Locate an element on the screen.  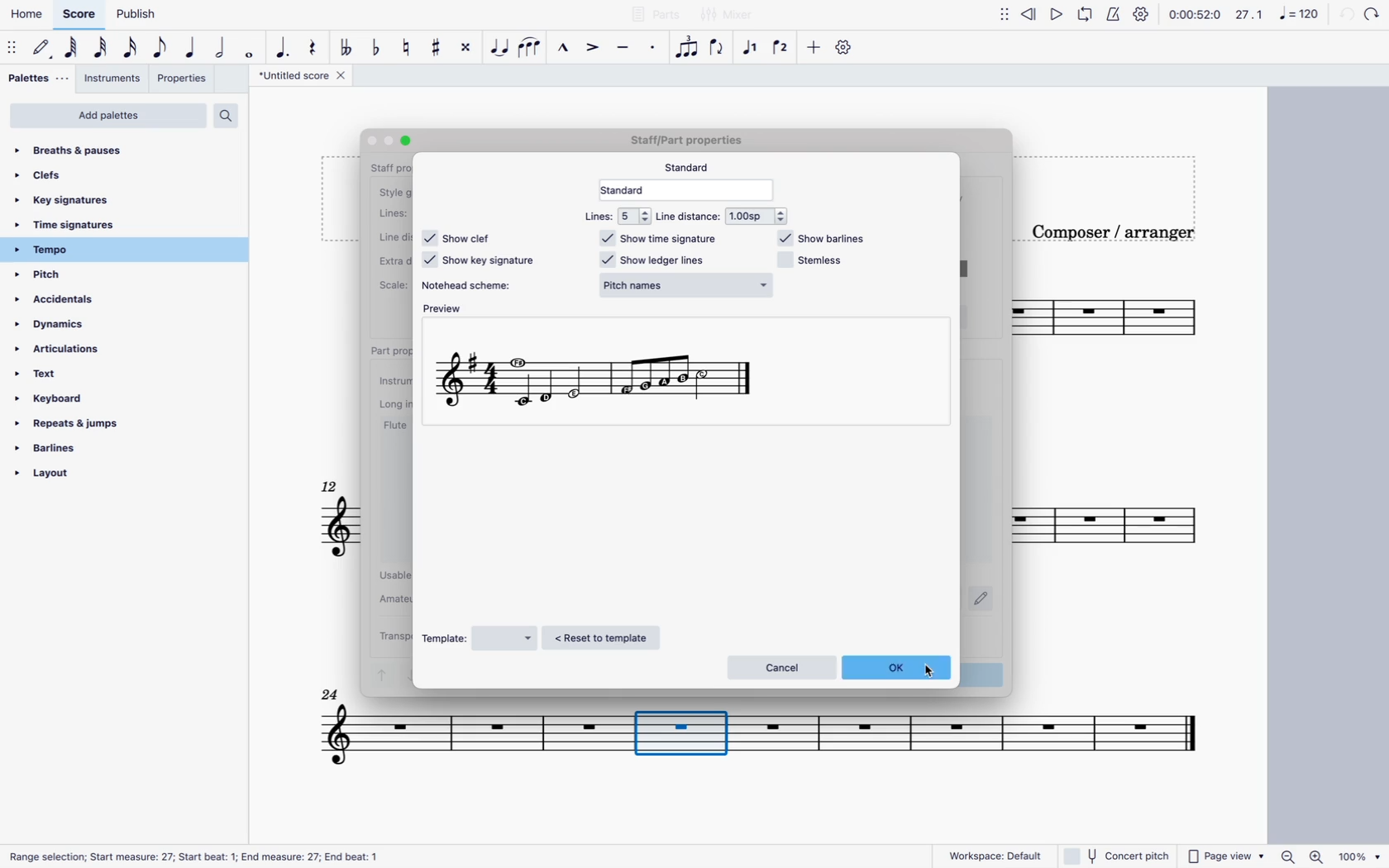
palettes is located at coordinates (36, 78).